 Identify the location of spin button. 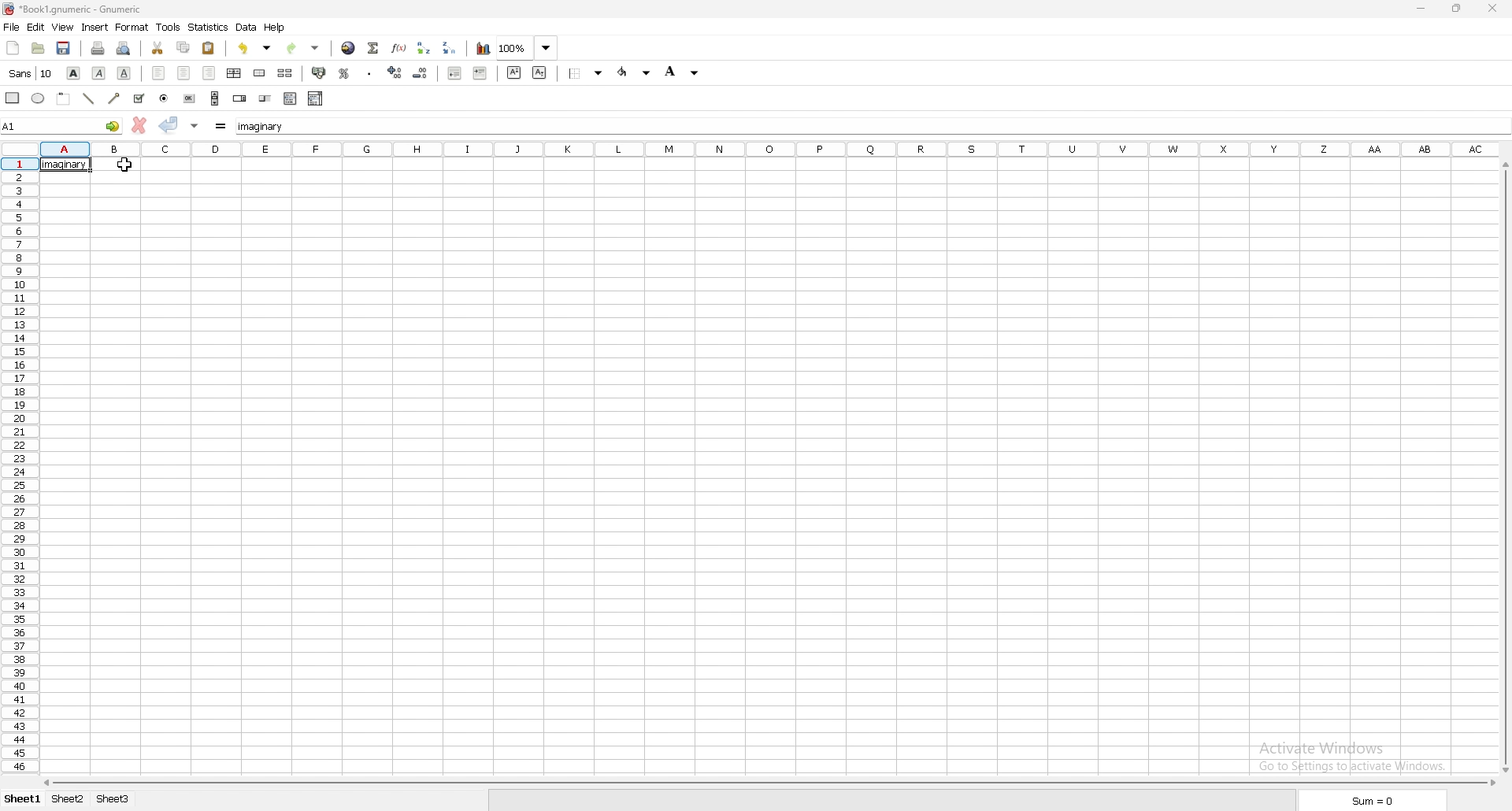
(240, 98).